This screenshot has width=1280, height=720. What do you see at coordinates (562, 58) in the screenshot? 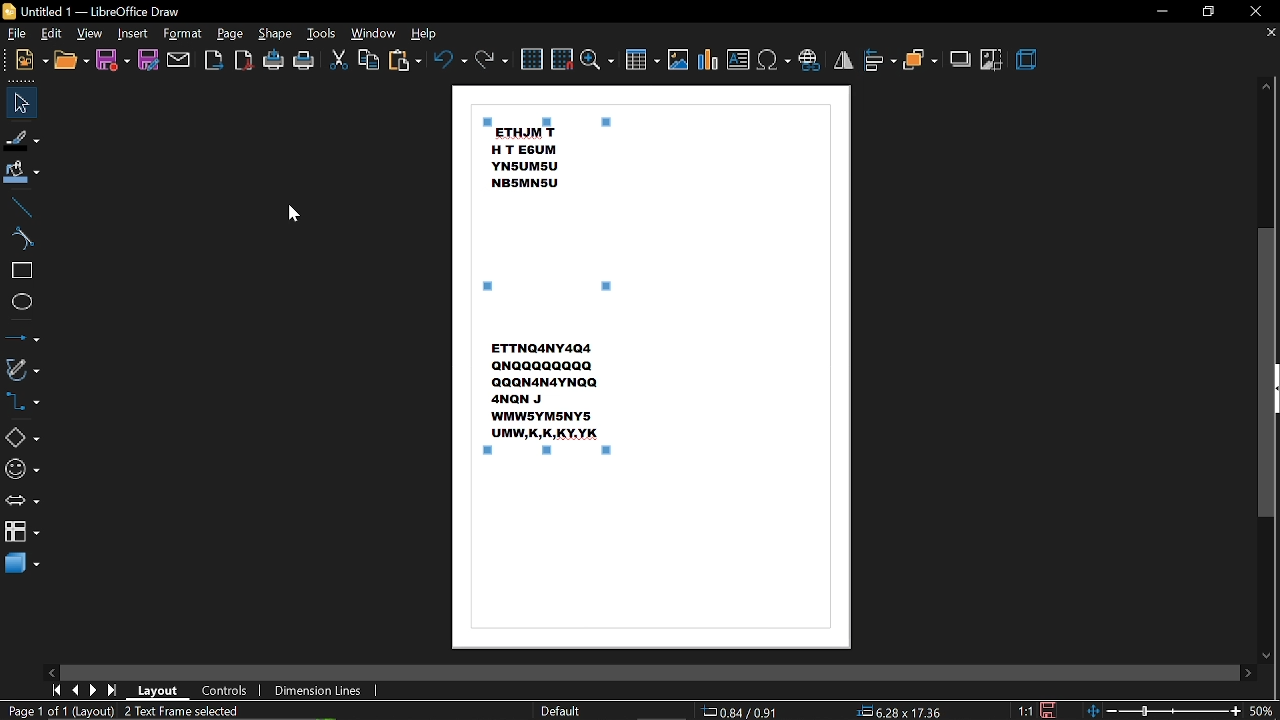
I see `snap to grid` at bounding box center [562, 58].